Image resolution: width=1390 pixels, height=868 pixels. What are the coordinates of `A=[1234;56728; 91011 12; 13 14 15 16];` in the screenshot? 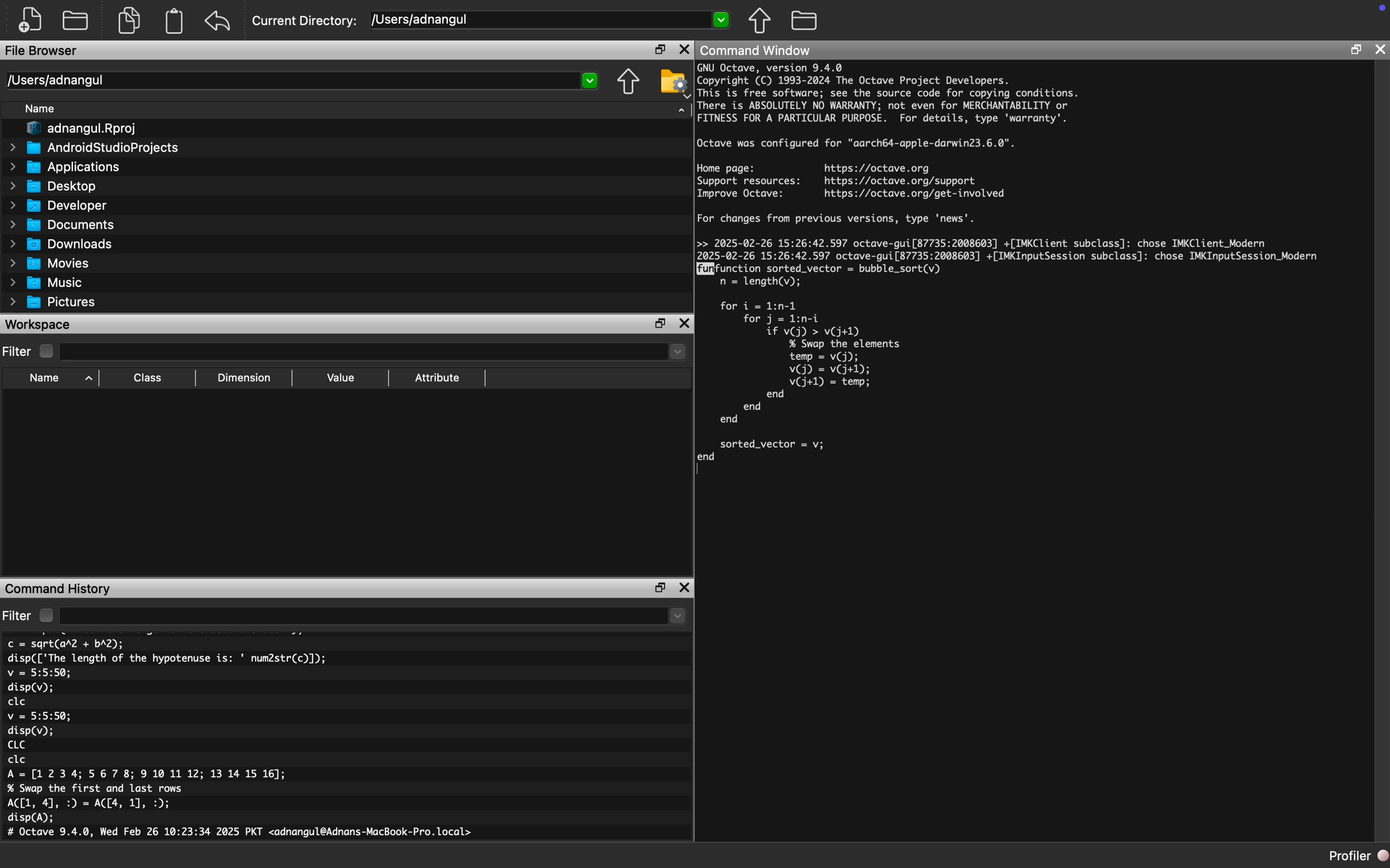 It's located at (151, 775).